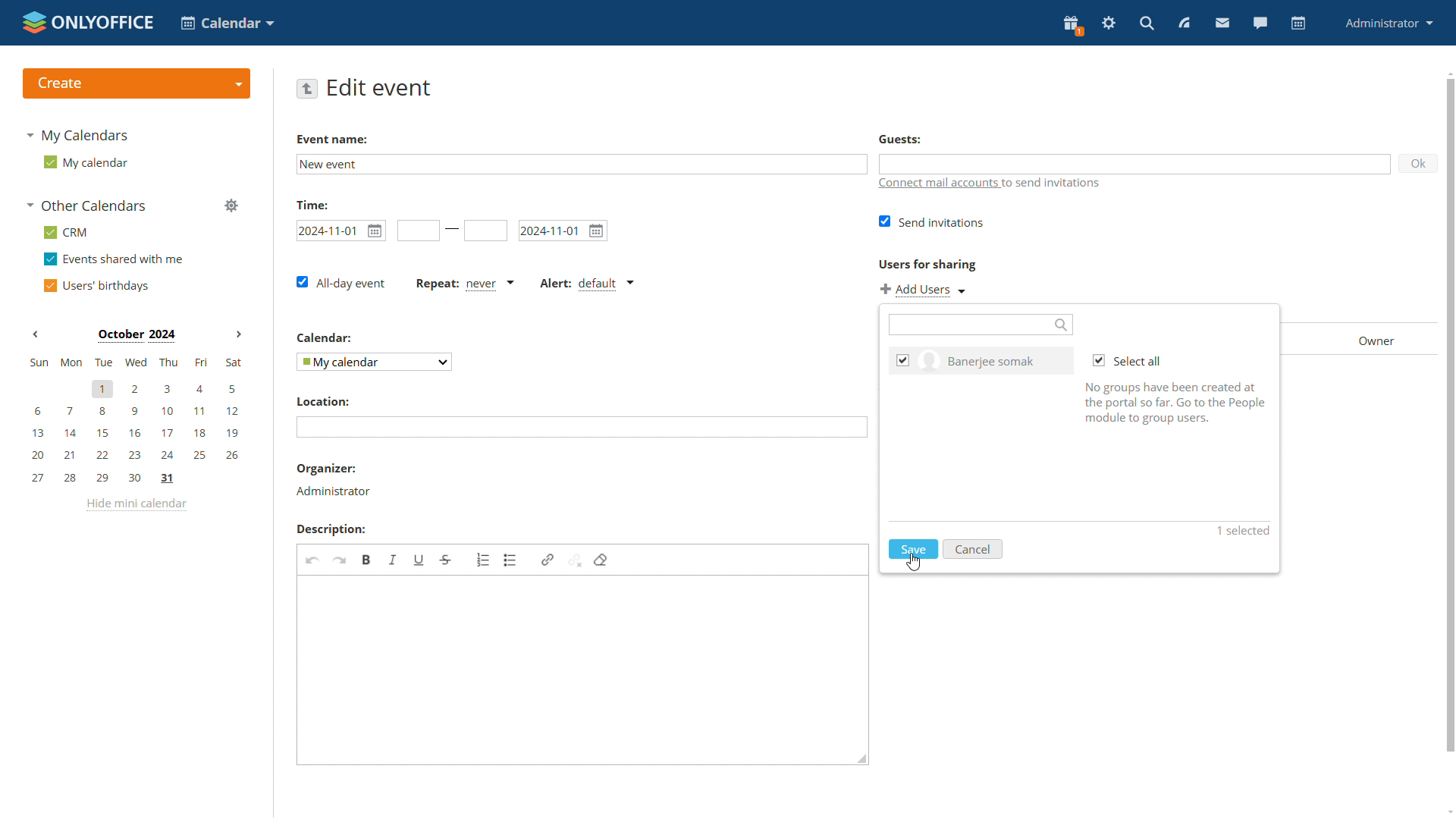 The image size is (1456, 819). I want to click on manage, so click(234, 207).